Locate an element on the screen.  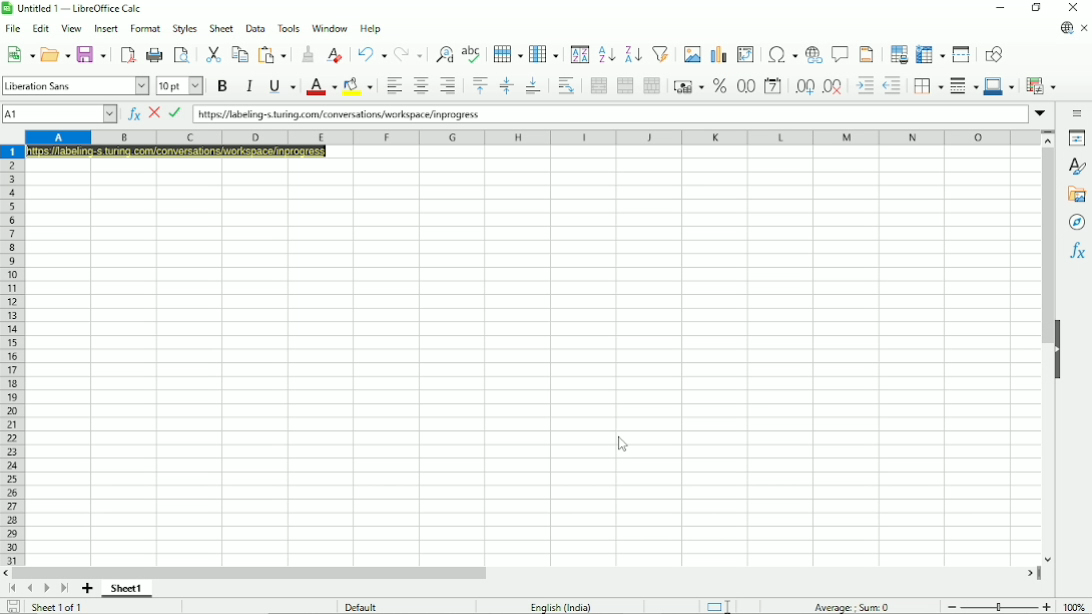
Conditional is located at coordinates (1041, 86).